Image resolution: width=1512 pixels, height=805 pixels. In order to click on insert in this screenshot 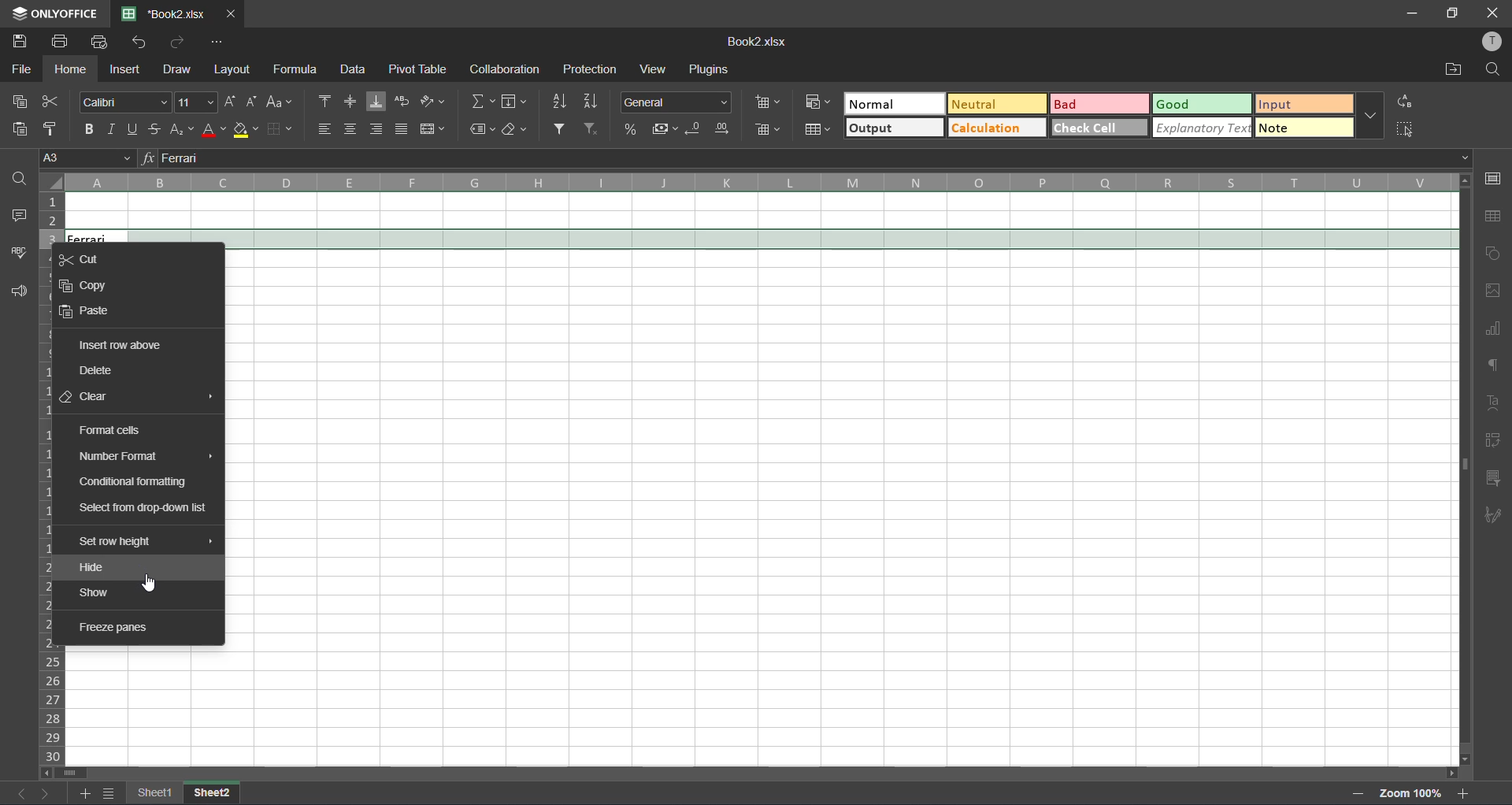, I will do `click(127, 69)`.